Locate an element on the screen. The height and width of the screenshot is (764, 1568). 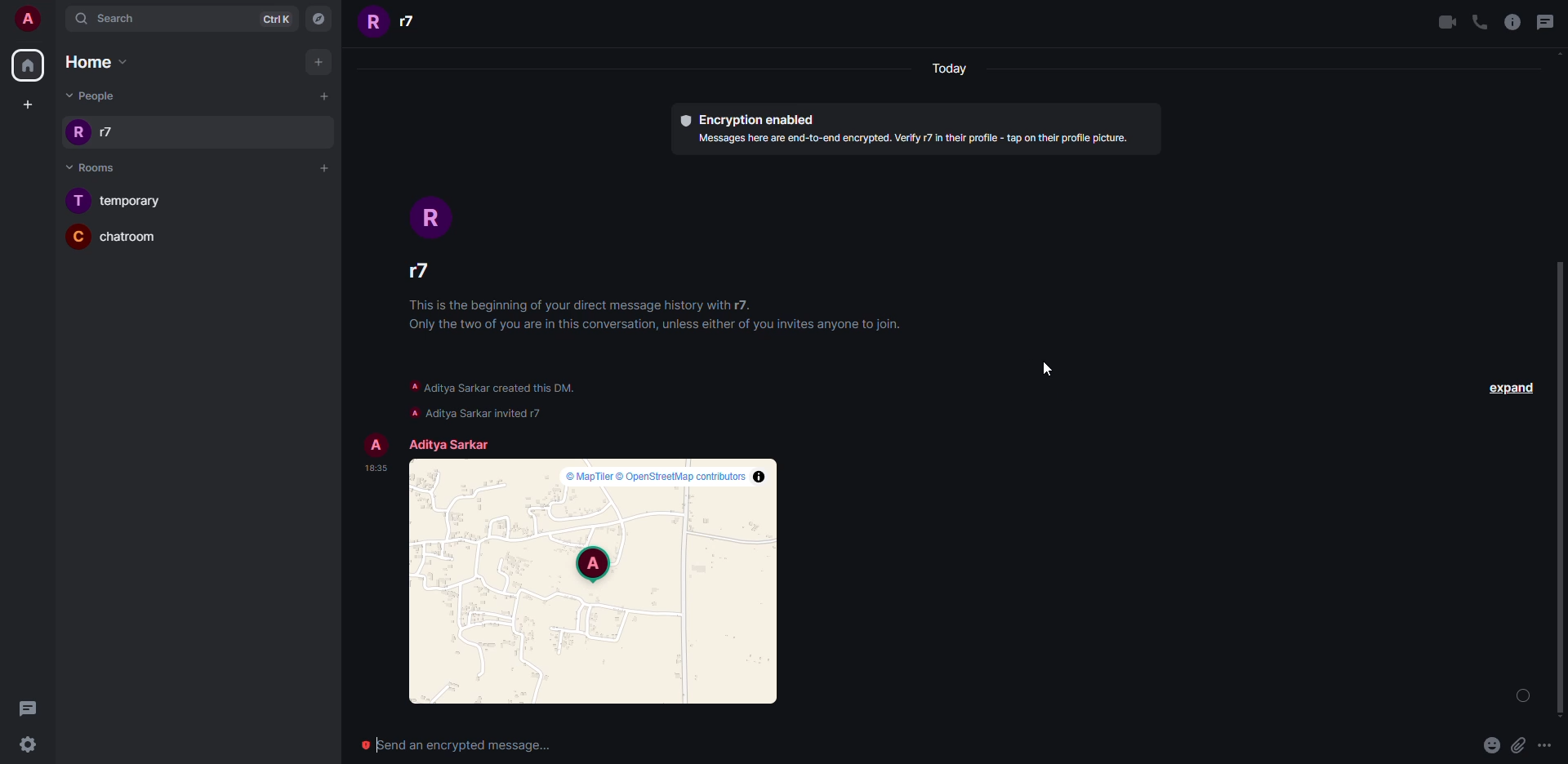
info is located at coordinates (672, 320).